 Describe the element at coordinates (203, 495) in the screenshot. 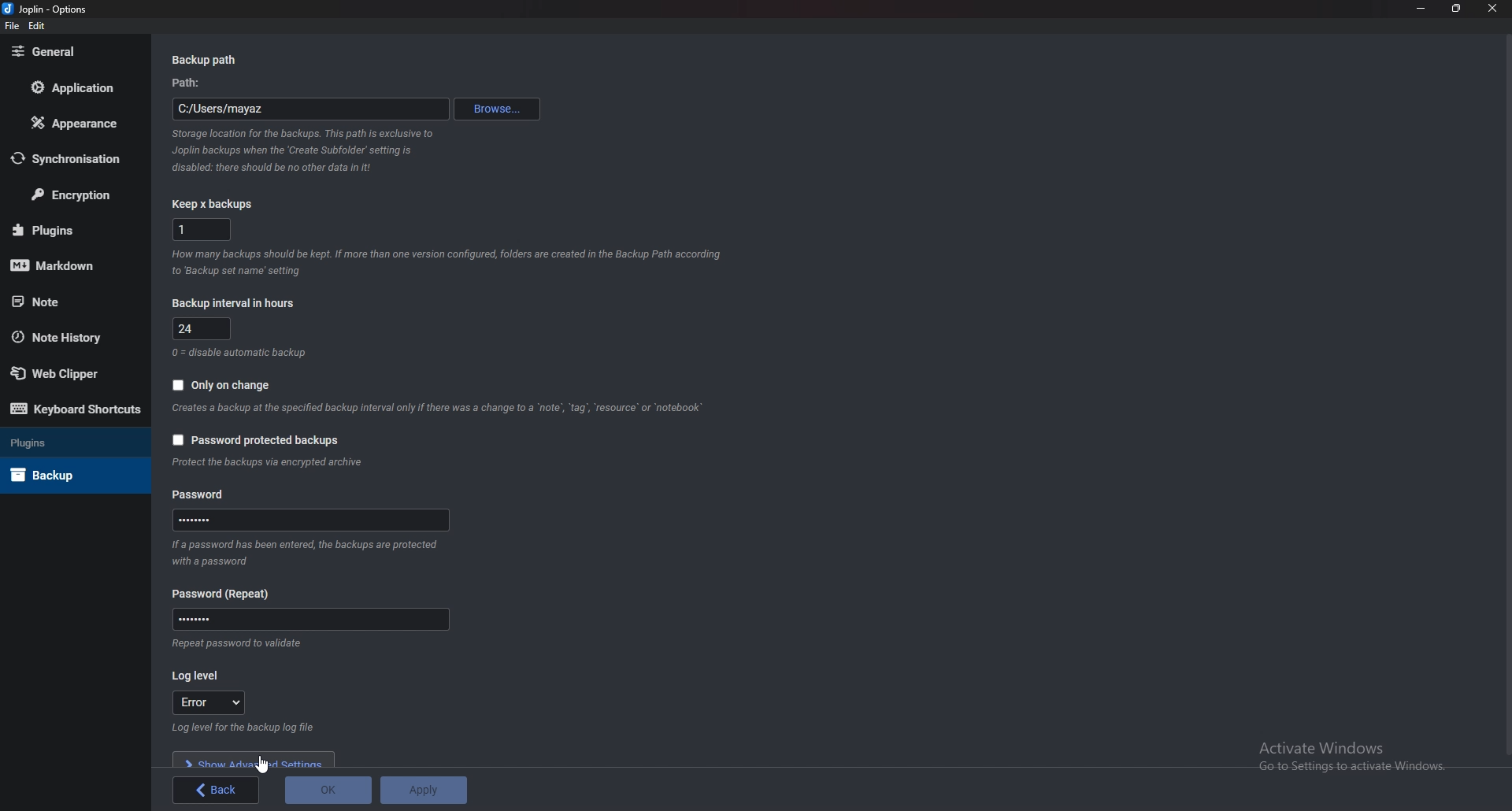

I see `password` at that location.